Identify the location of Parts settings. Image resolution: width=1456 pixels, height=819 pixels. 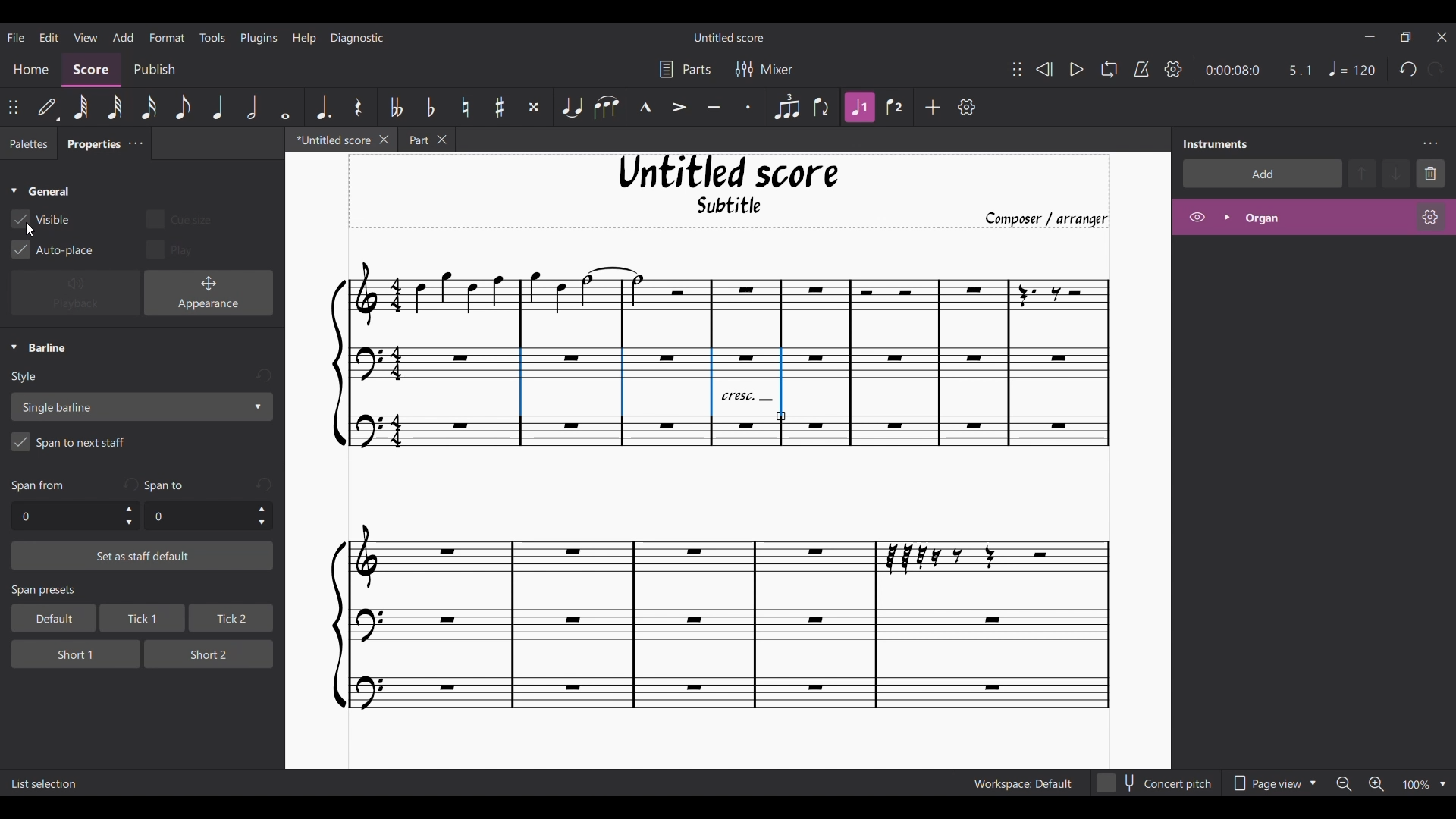
(686, 69).